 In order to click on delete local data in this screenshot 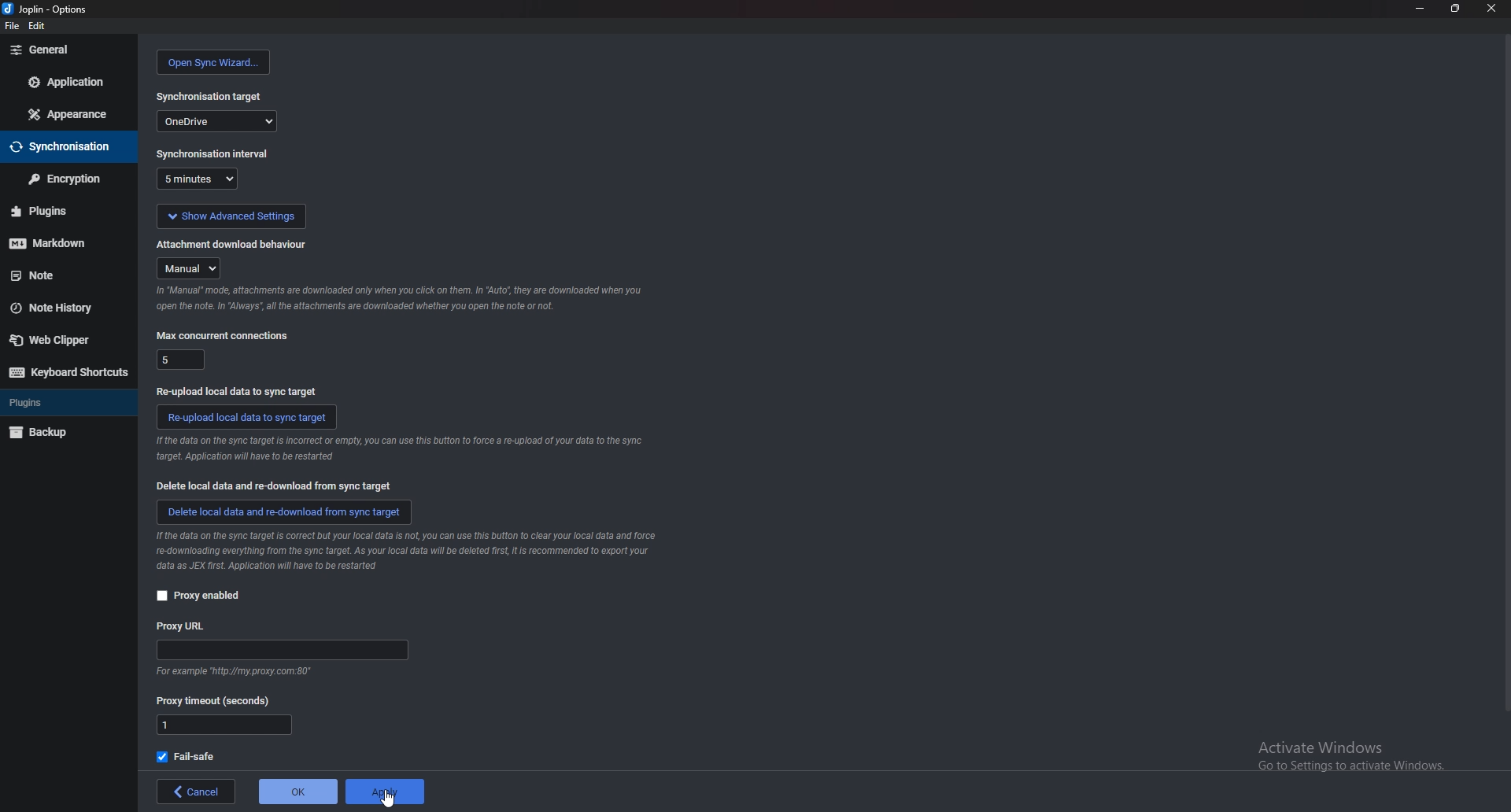, I will do `click(275, 485)`.